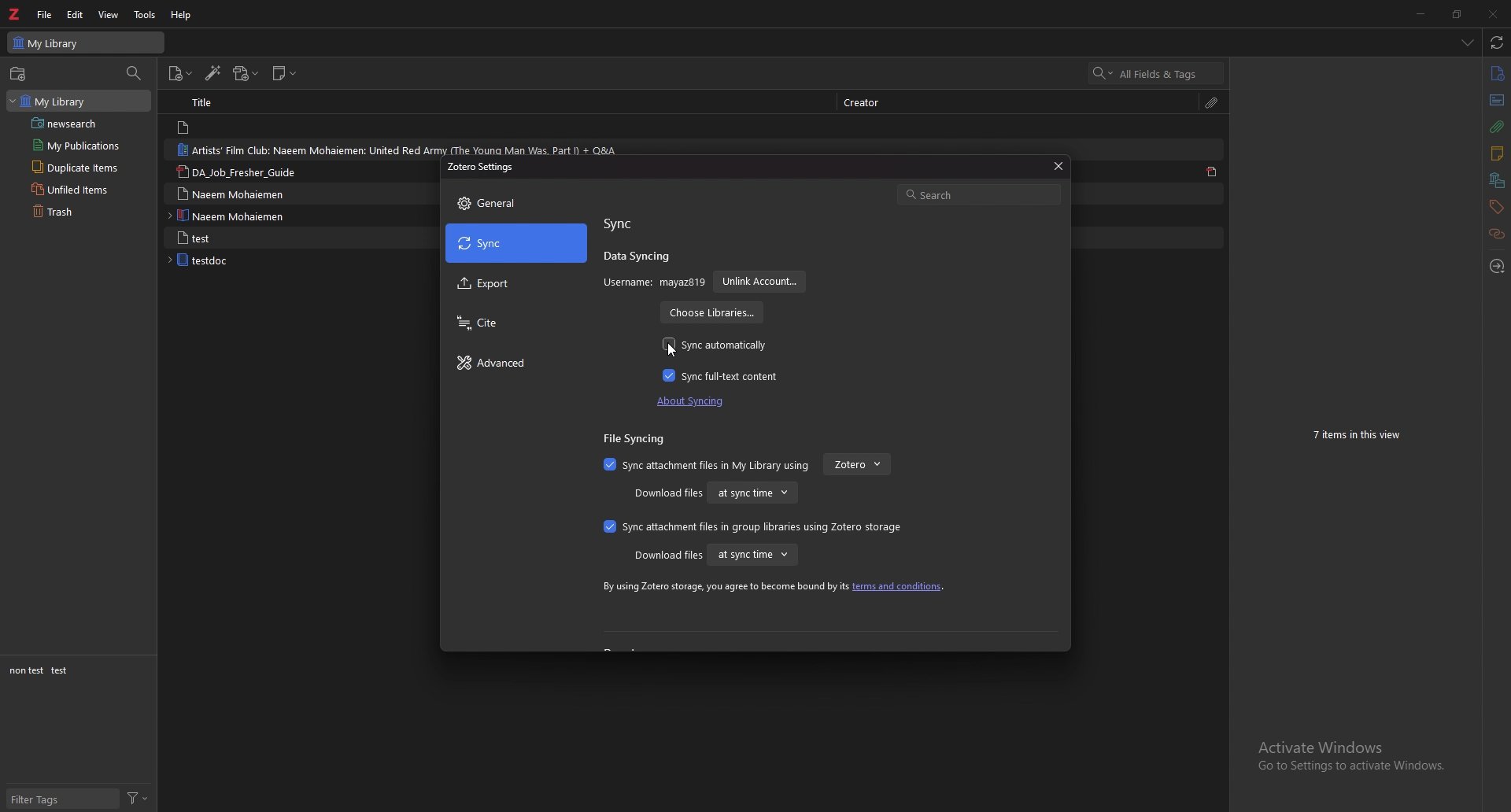  What do you see at coordinates (1495, 153) in the screenshot?
I see `notes` at bounding box center [1495, 153].